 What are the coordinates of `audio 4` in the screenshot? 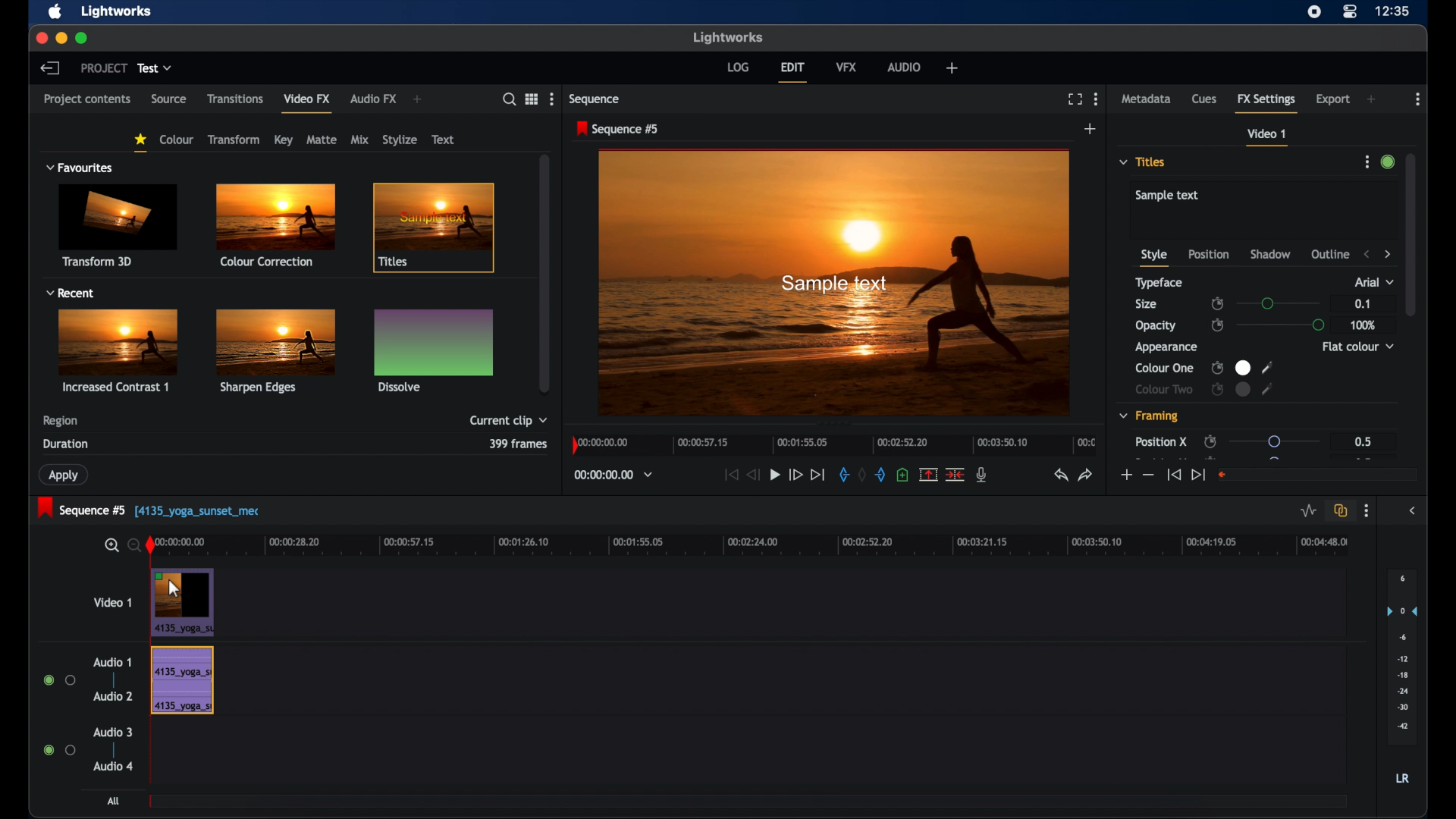 It's located at (114, 765).